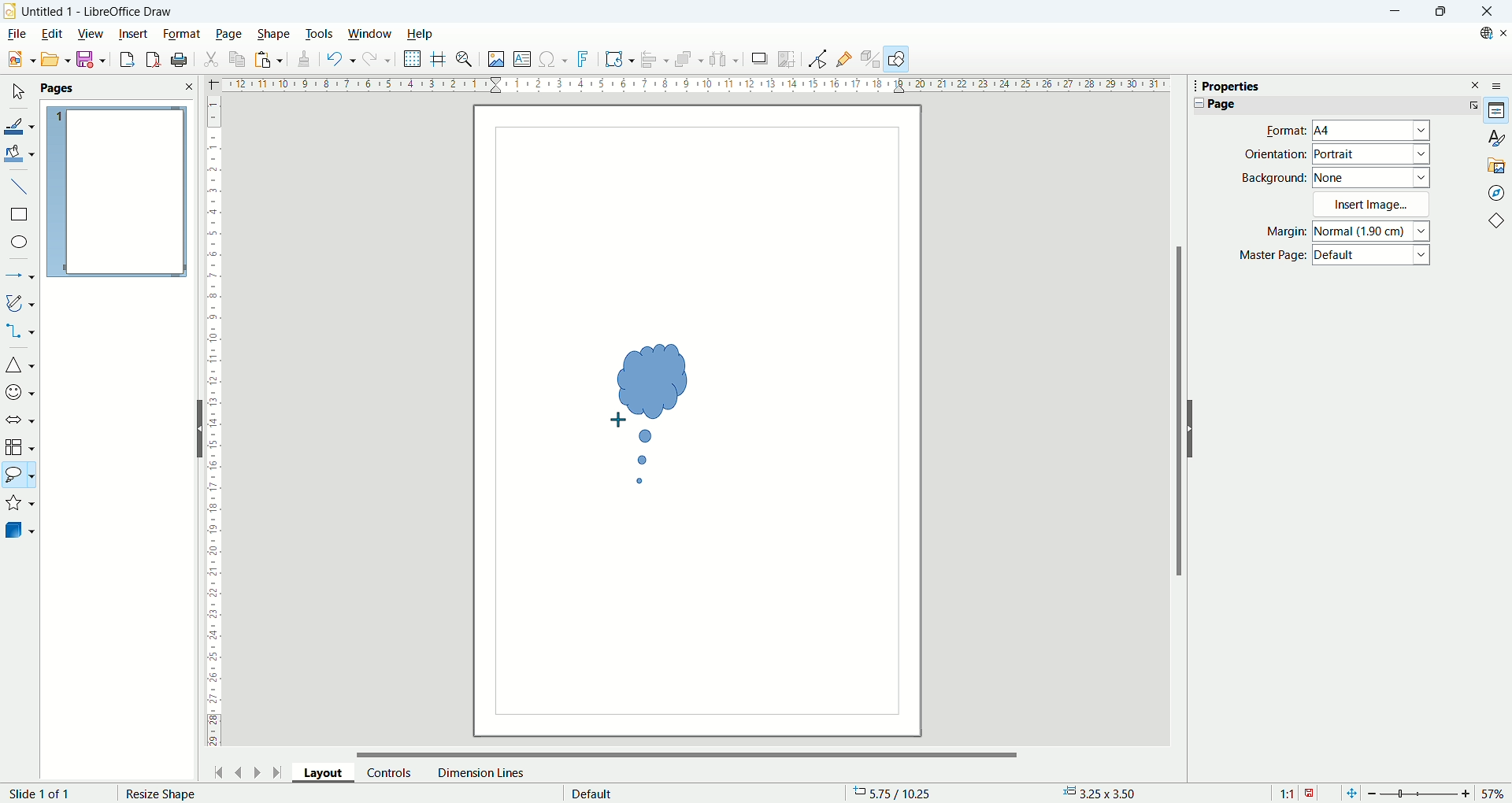 This screenshot has width=1512, height=803. I want to click on help, so click(419, 34).